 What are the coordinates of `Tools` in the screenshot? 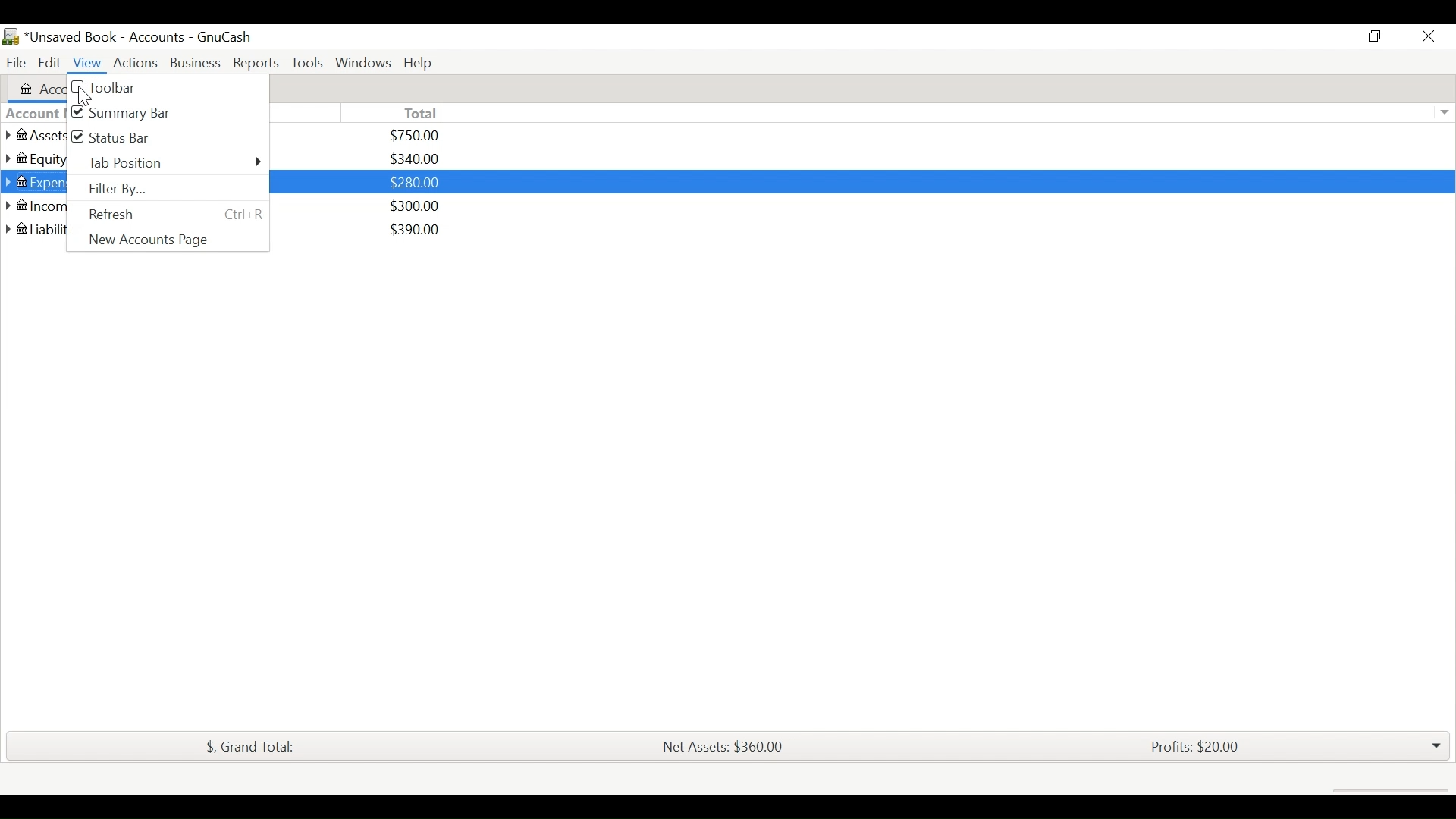 It's located at (309, 63).